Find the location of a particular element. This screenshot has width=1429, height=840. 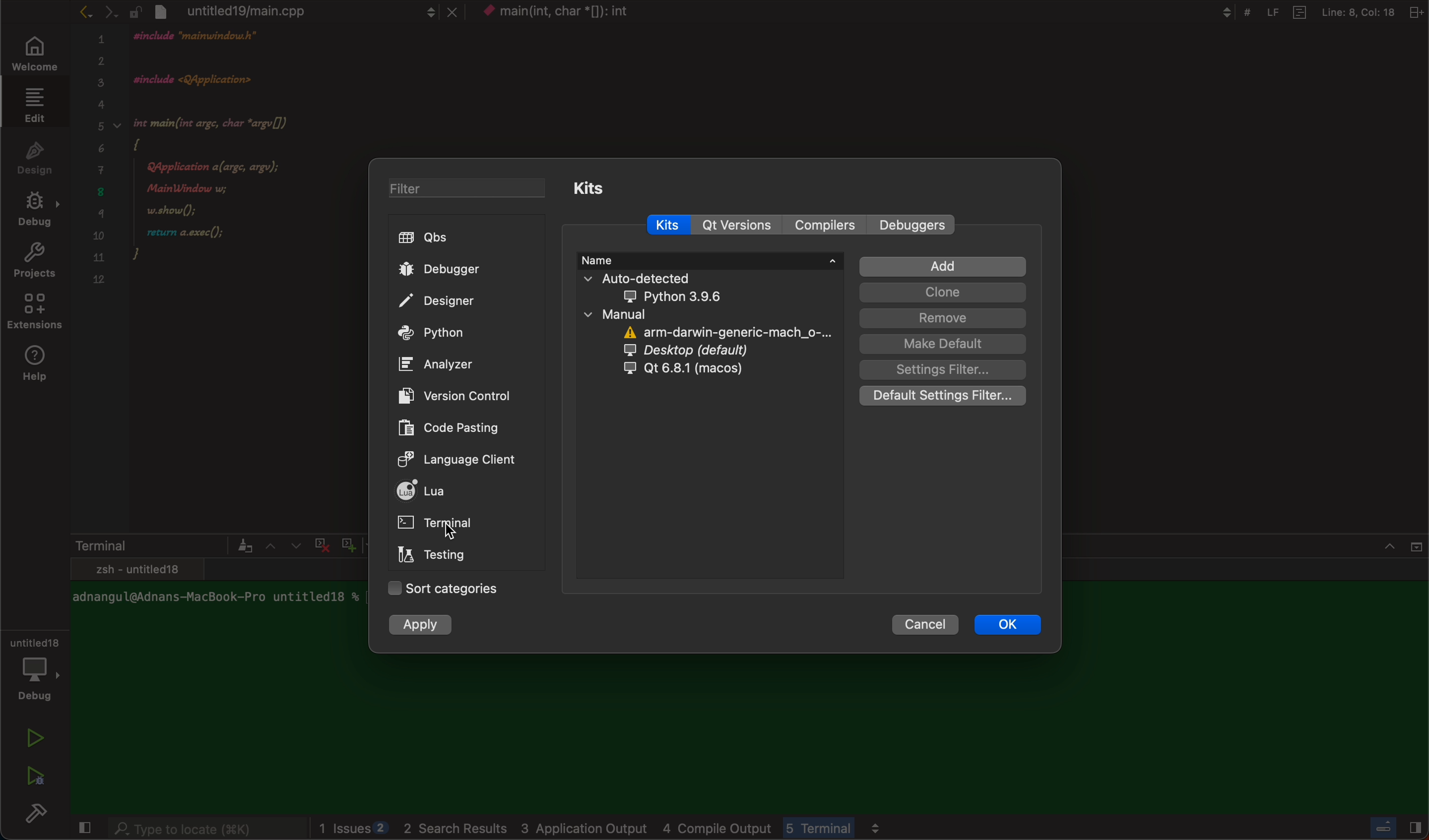

make default  is located at coordinates (942, 344).